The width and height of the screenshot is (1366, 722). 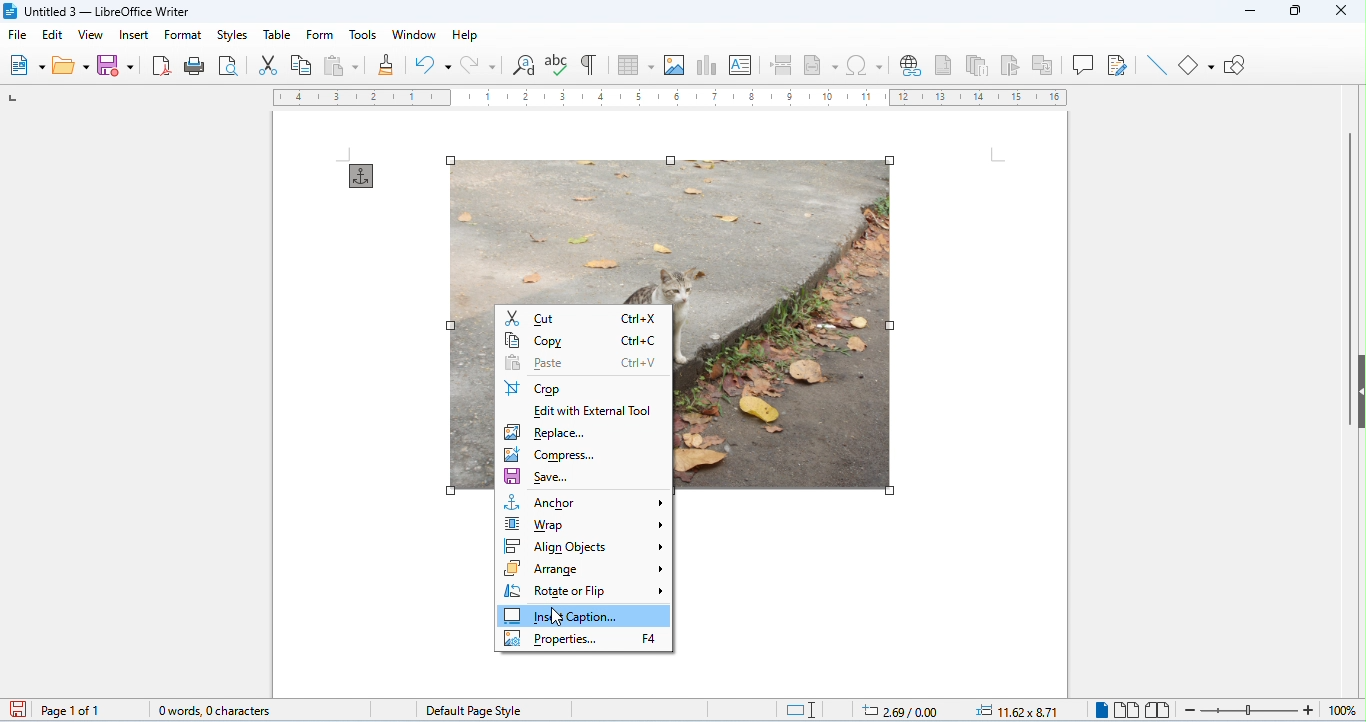 I want to click on hide, so click(x=1357, y=391).